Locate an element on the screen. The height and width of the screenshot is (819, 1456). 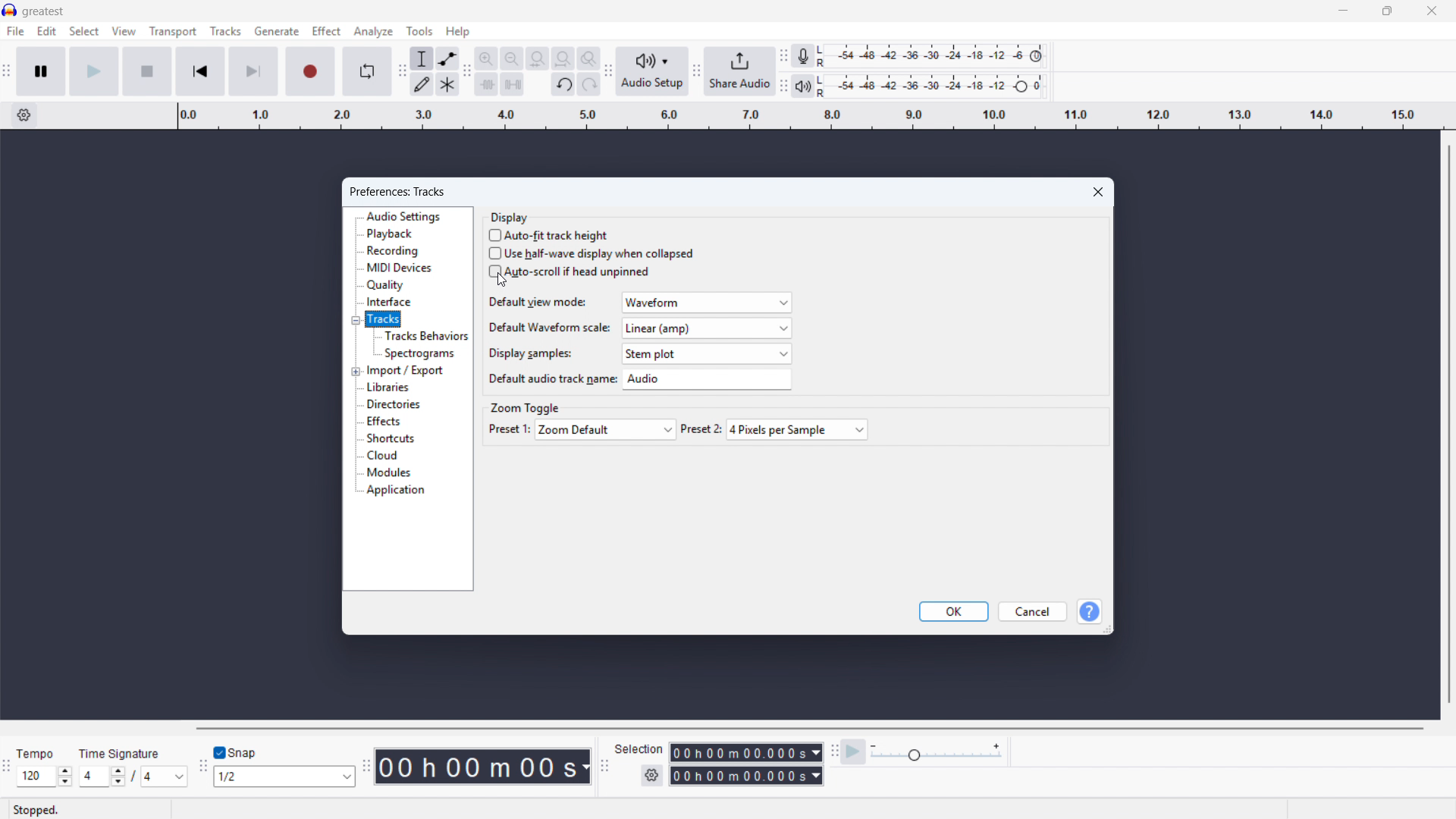
Fit project to width  is located at coordinates (564, 58).